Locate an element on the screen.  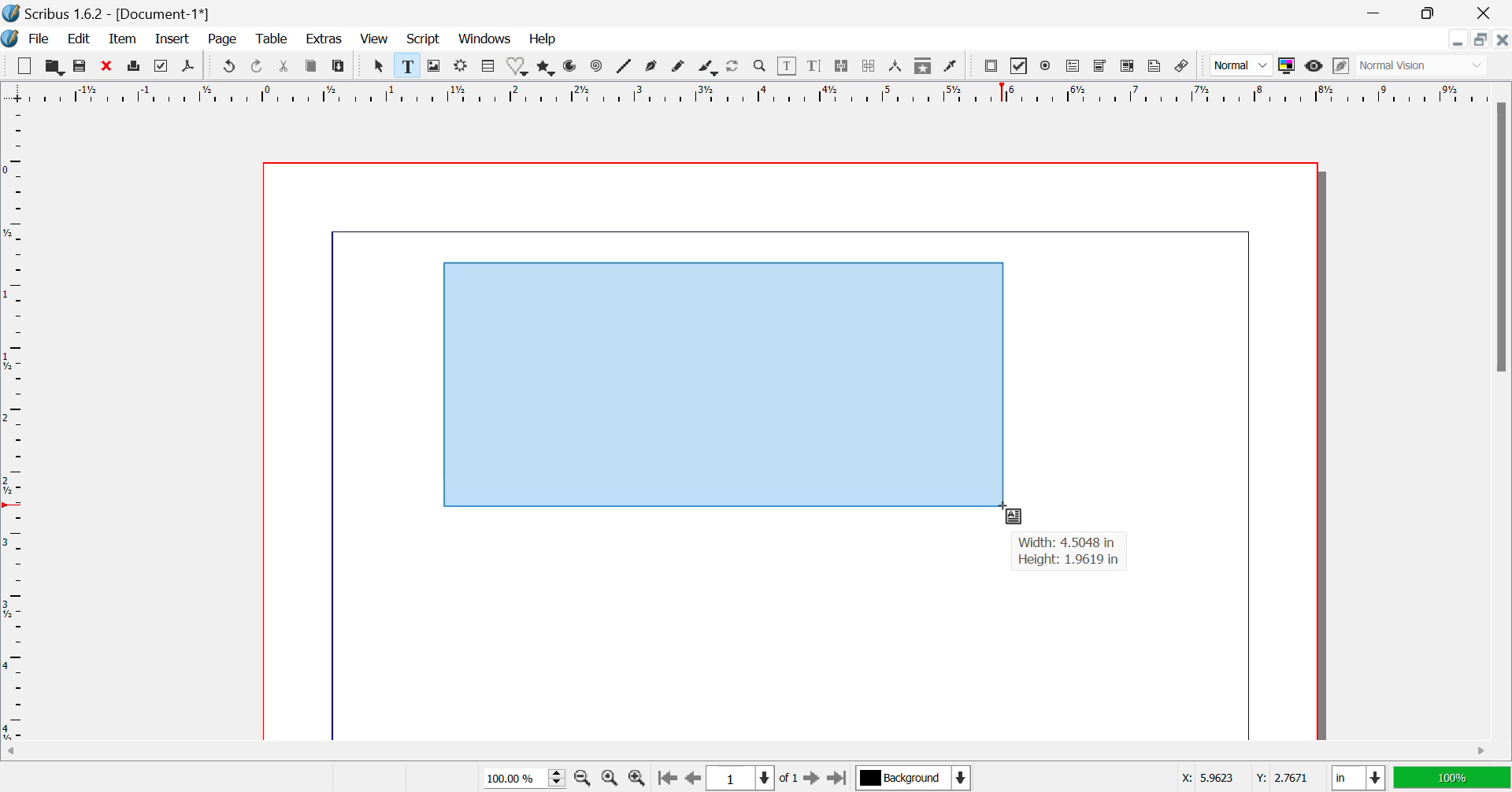
Calligraphic Line is located at coordinates (707, 68).